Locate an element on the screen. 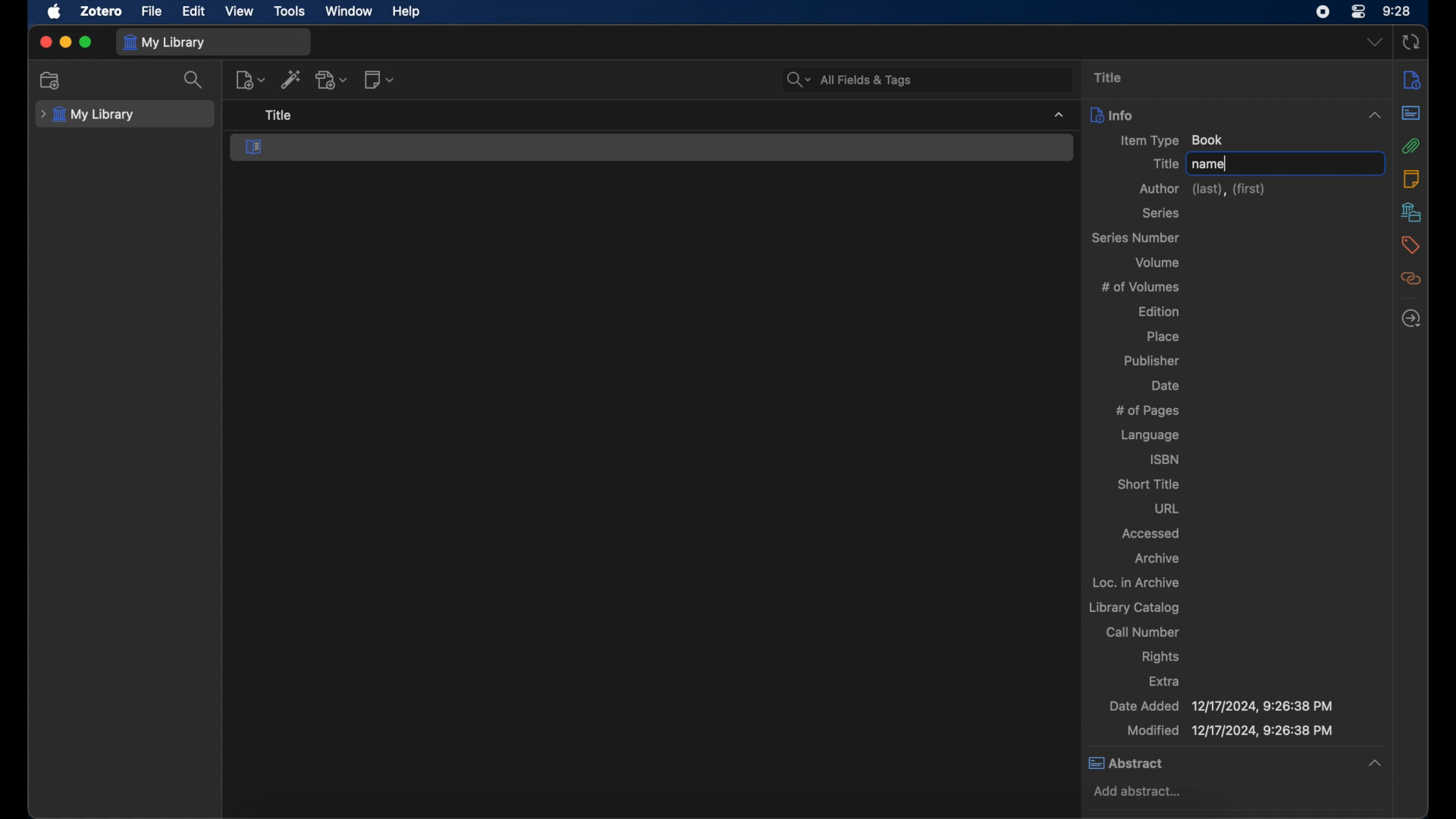  library catalog is located at coordinates (1134, 608).